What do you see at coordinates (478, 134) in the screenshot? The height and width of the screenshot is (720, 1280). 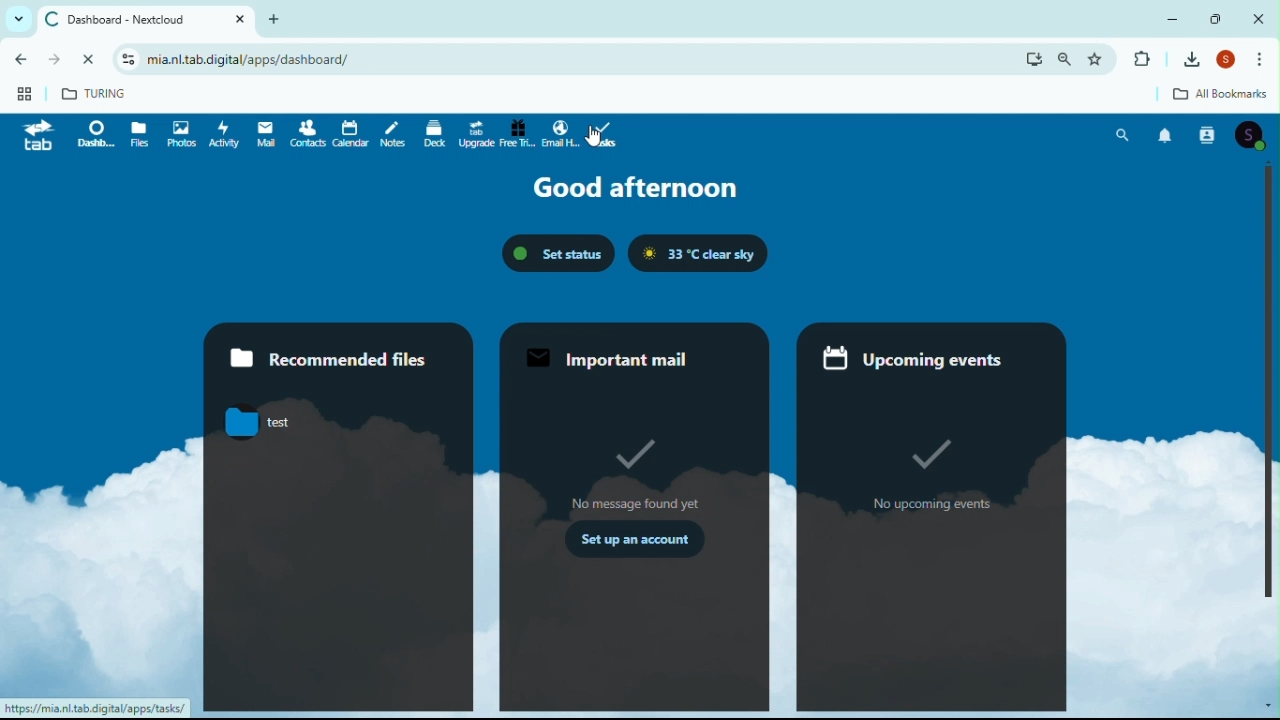 I see `Upgrade` at bounding box center [478, 134].